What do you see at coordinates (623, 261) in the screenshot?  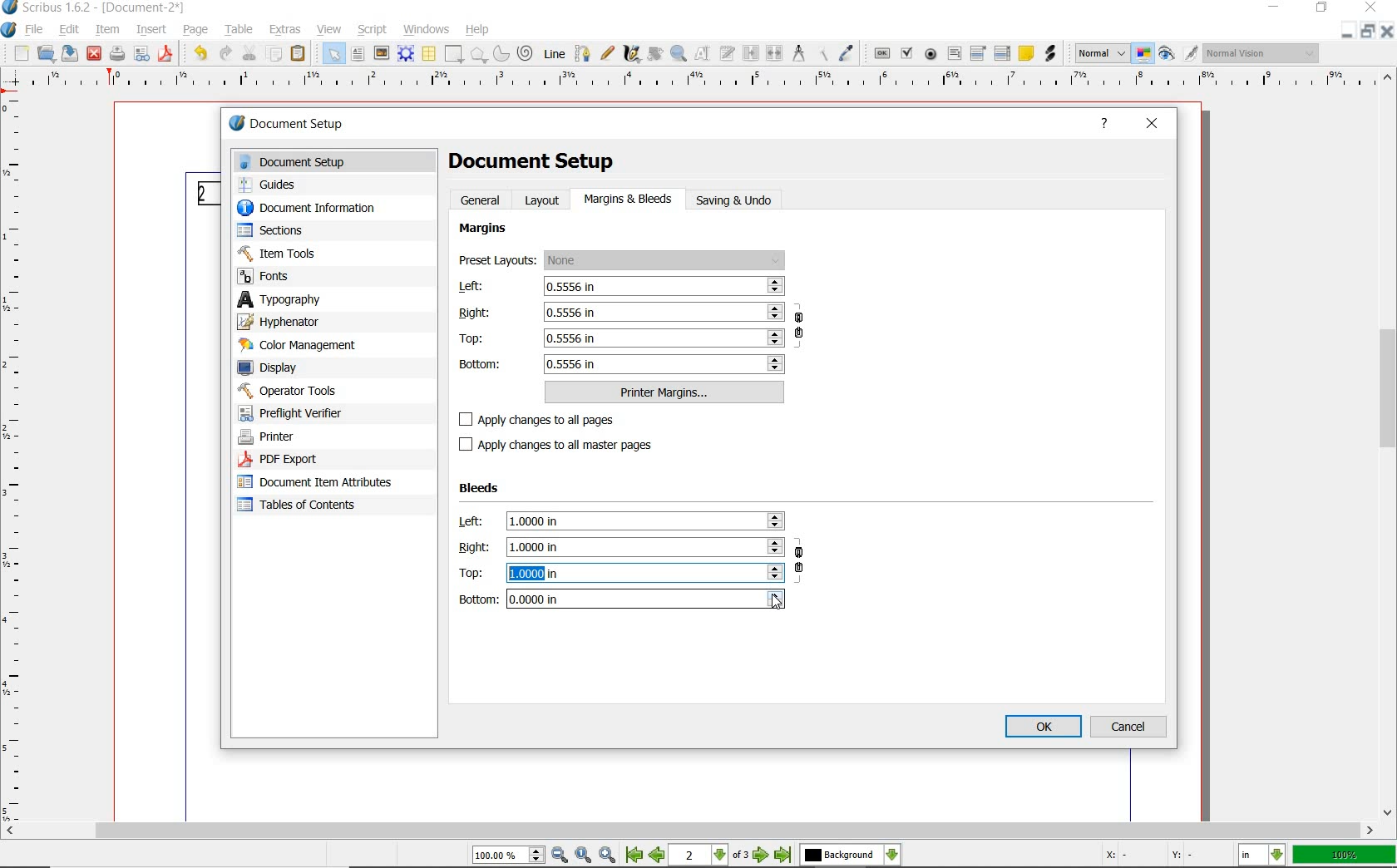 I see `preset layouts` at bounding box center [623, 261].